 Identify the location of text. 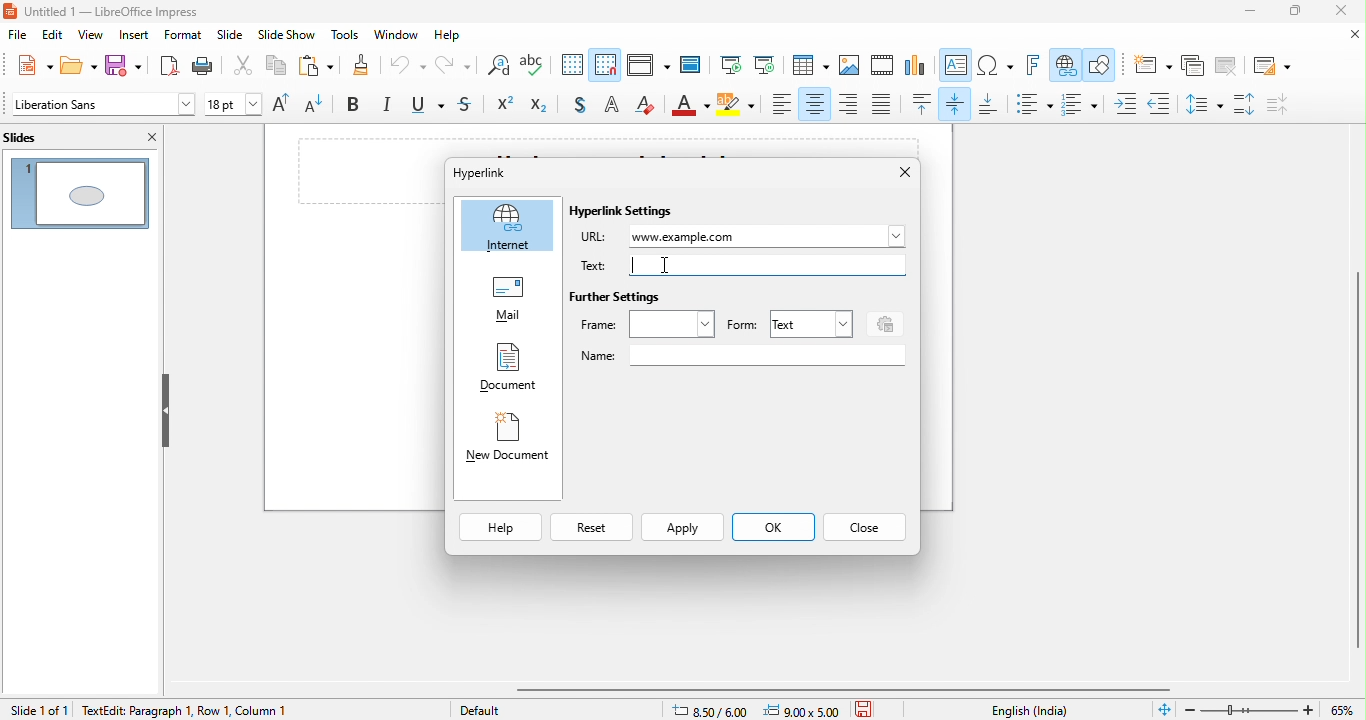
(809, 323).